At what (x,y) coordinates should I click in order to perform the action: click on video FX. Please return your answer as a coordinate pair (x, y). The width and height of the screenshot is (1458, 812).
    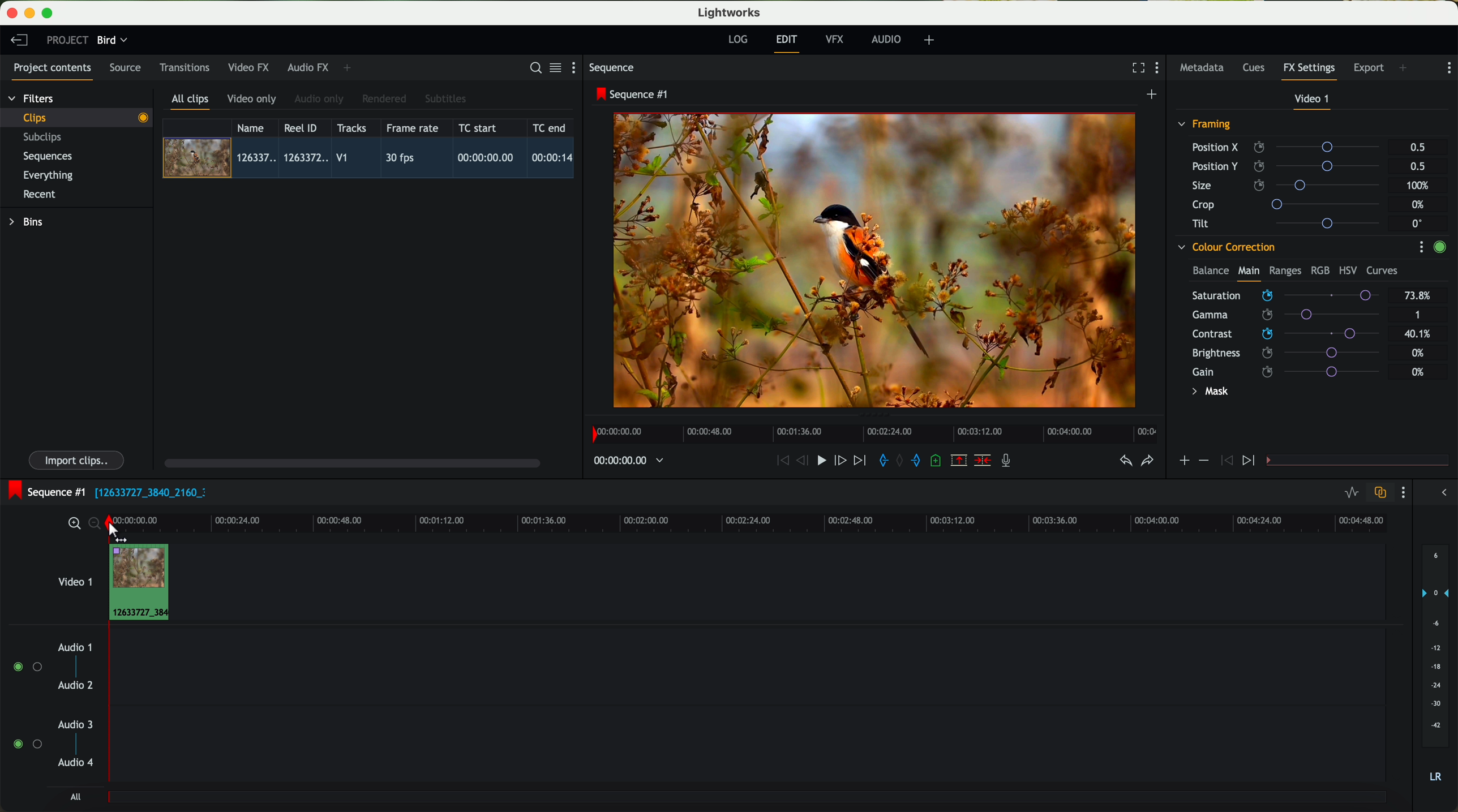
    Looking at the image, I should click on (251, 67).